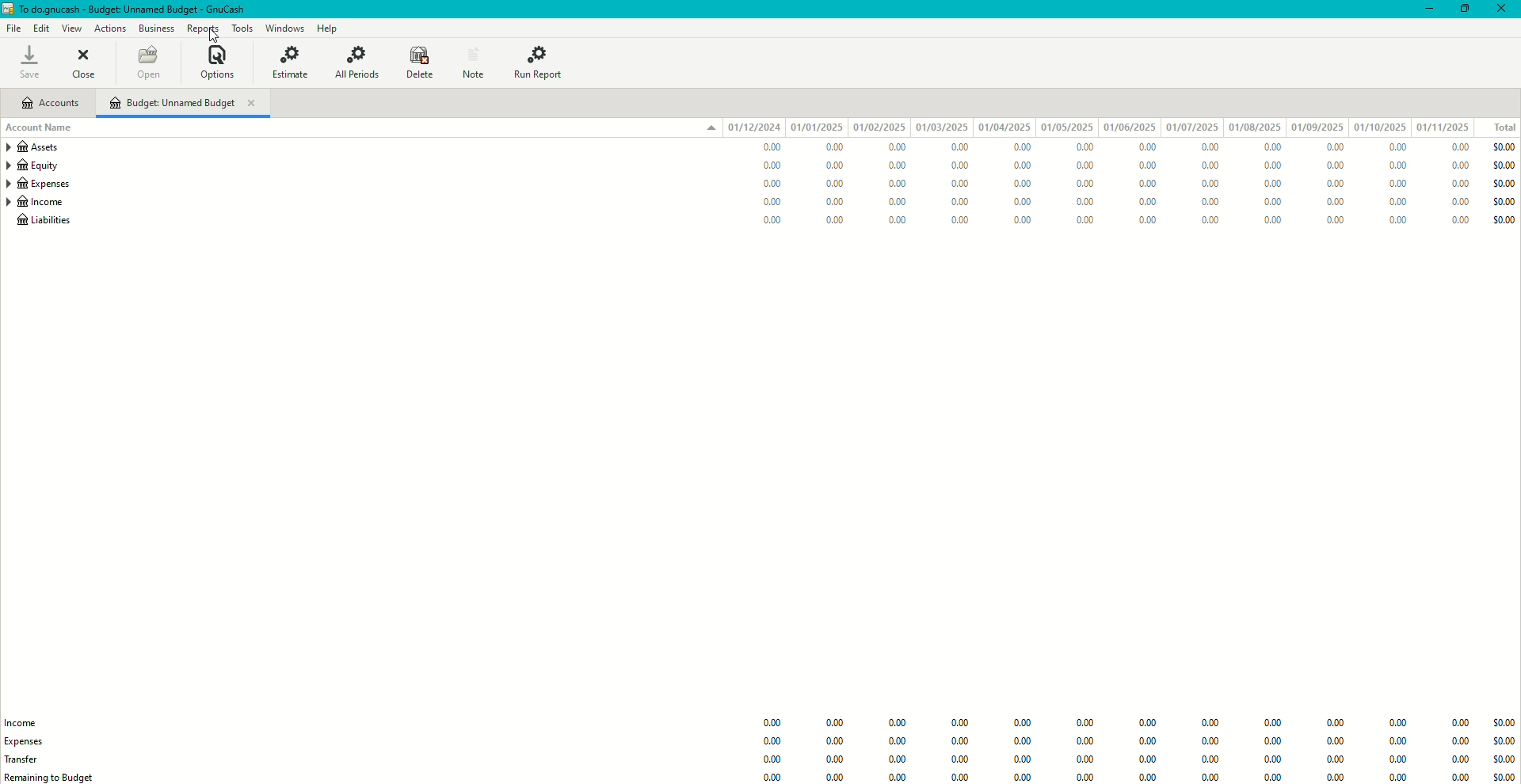 Image resolution: width=1521 pixels, height=784 pixels. Describe the element at coordinates (837, 742) in the screenshot. I see `0.00` at that location.